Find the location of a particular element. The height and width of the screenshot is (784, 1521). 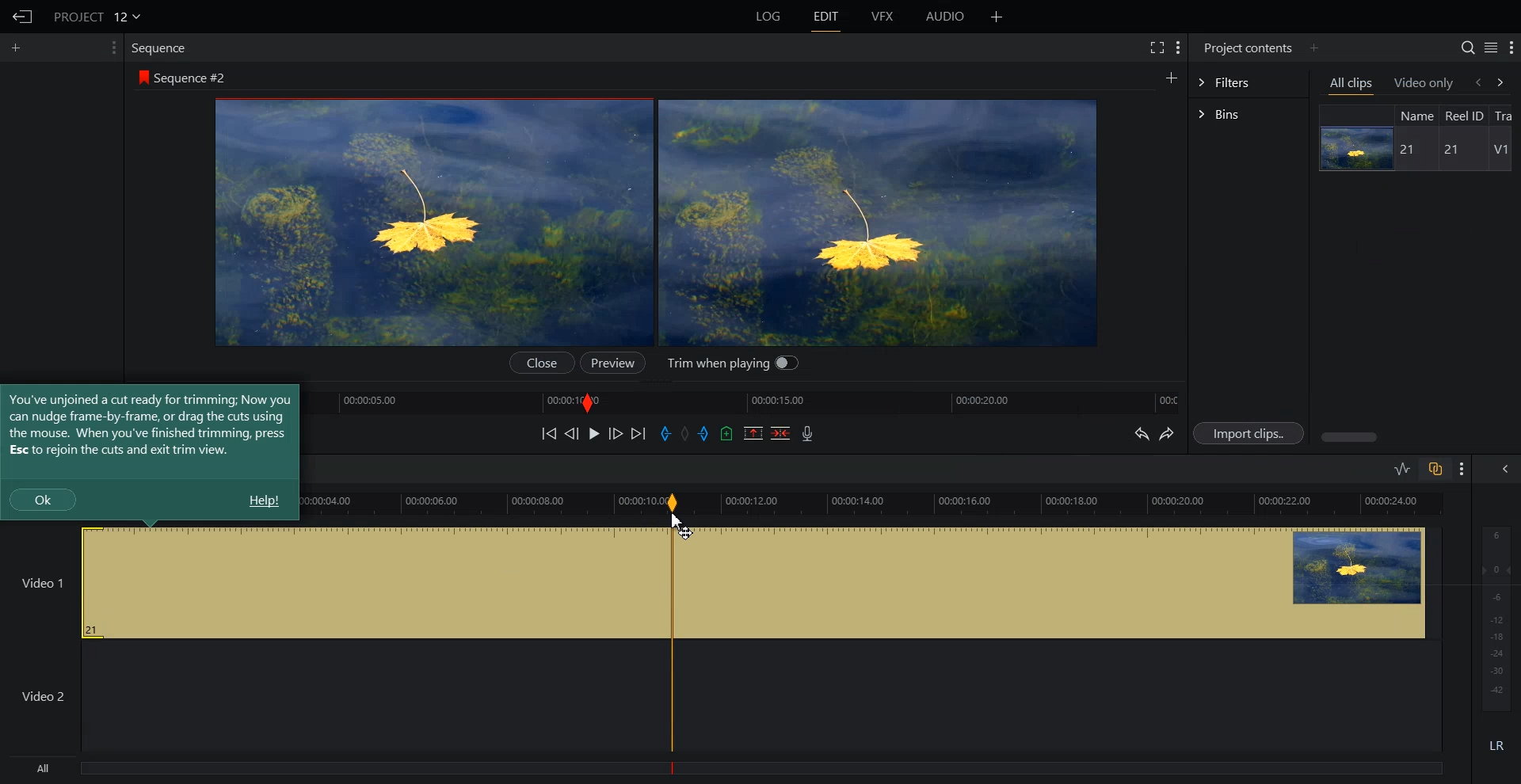

Delete is located at coordinates (780, 432).